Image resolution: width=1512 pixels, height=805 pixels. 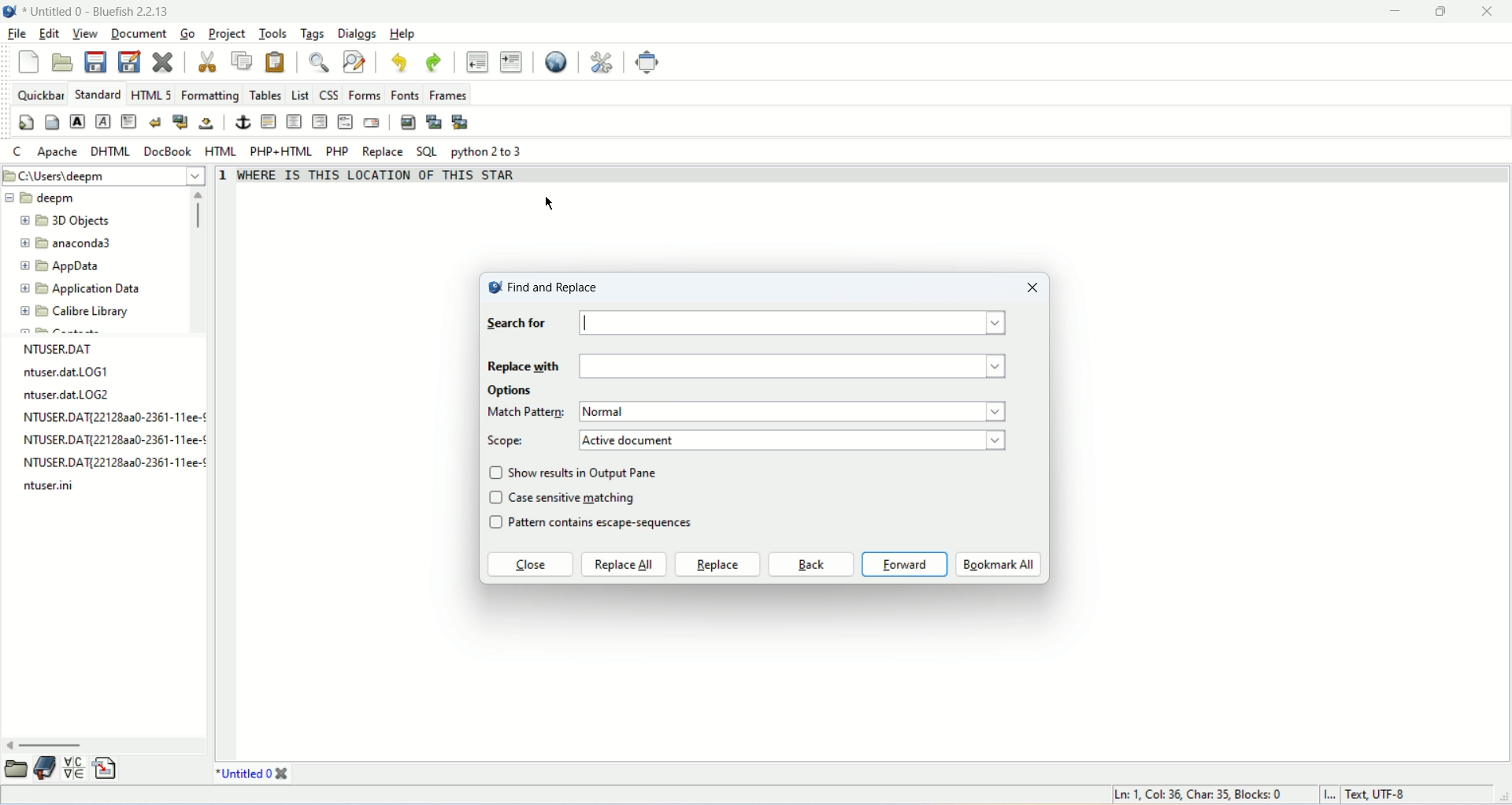 What do you see at coordinates (301, 95) in the screenshot?
I see `list` at bounding box center [301, 95].